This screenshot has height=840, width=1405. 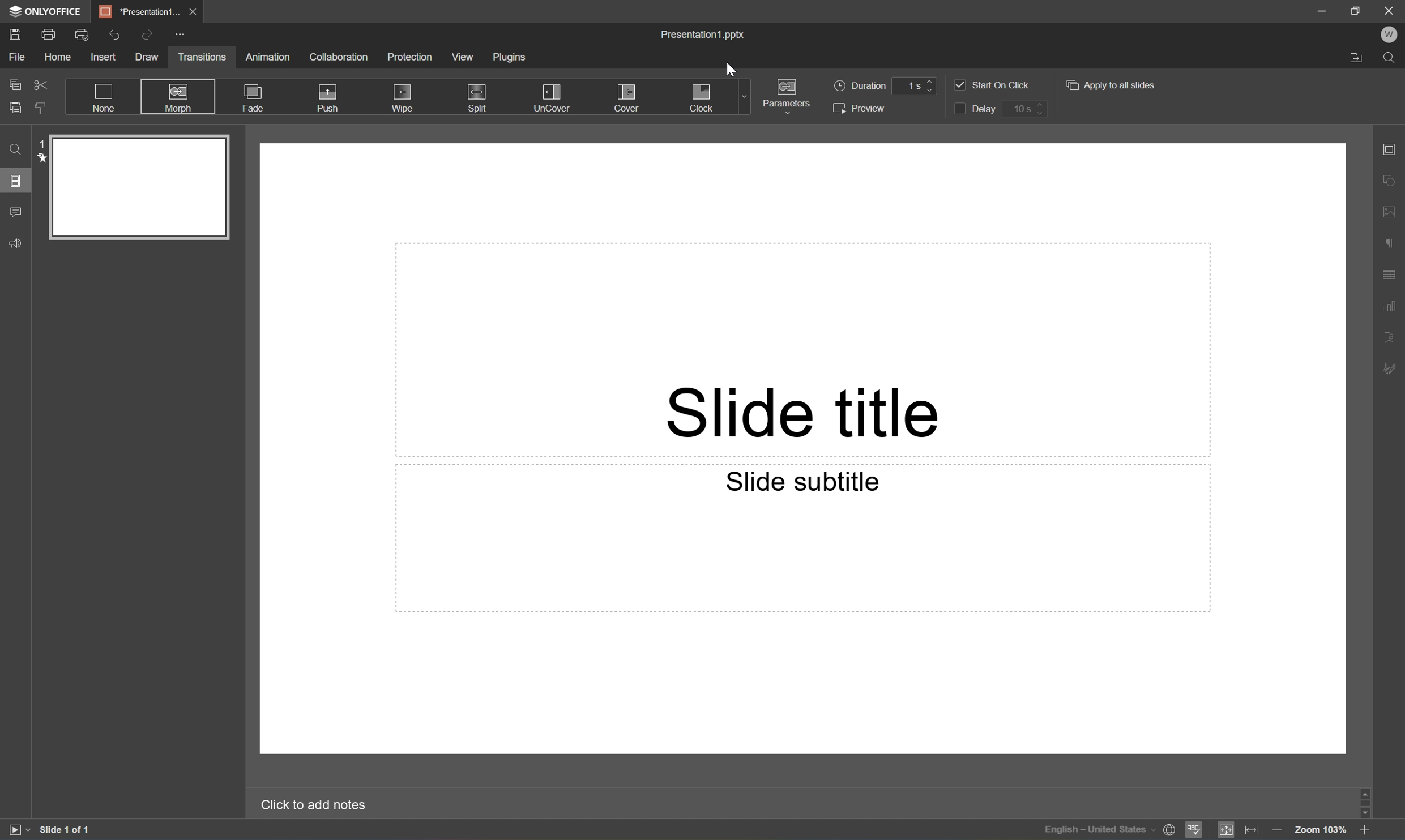 I want to click on Zoom in, so click(x=1362, y=834).